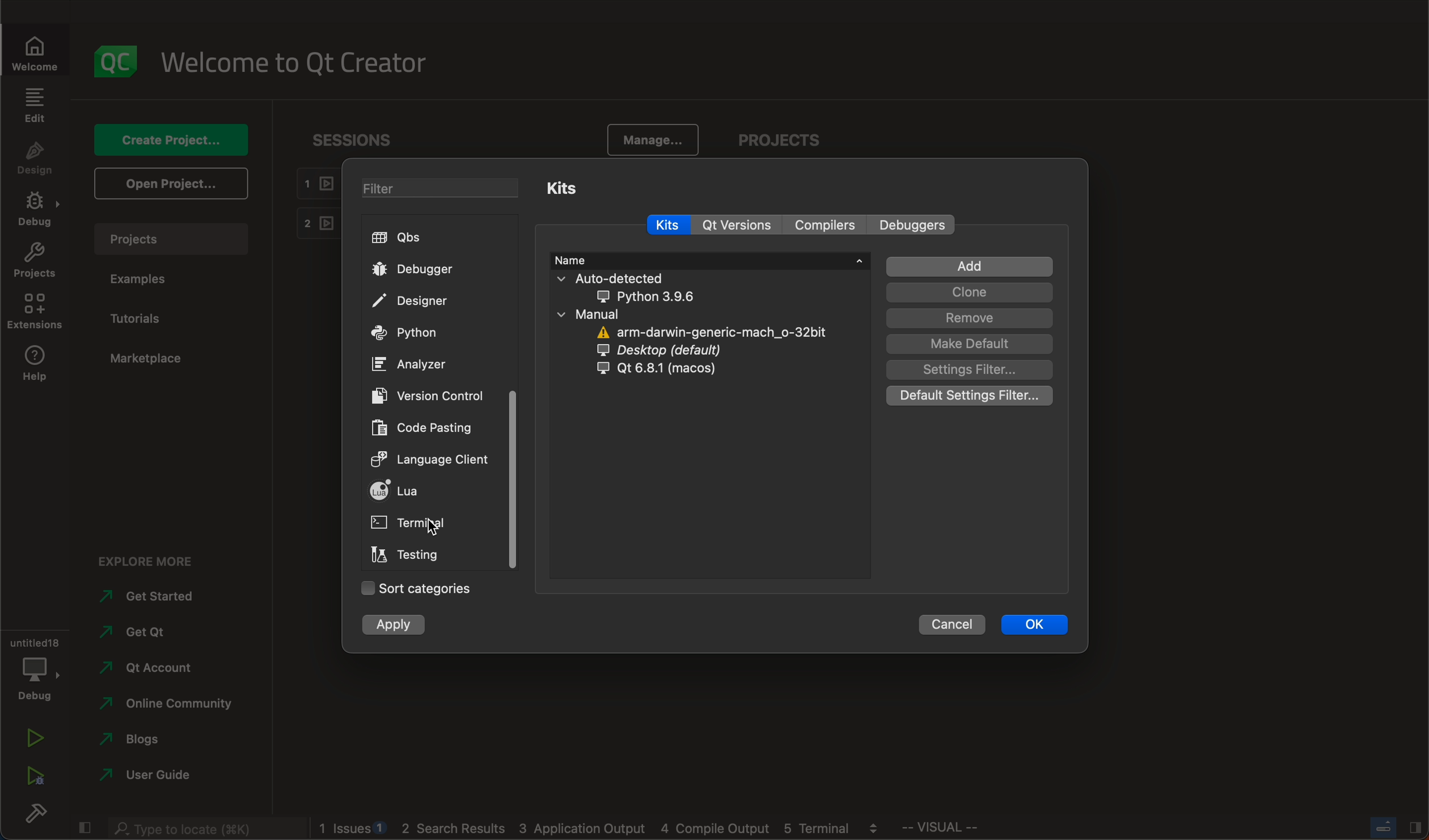 This screenshot has height=840, width=1429. Describe the element at coordinates (916, 224) in the screenshot. I see `debuggers` at that location.